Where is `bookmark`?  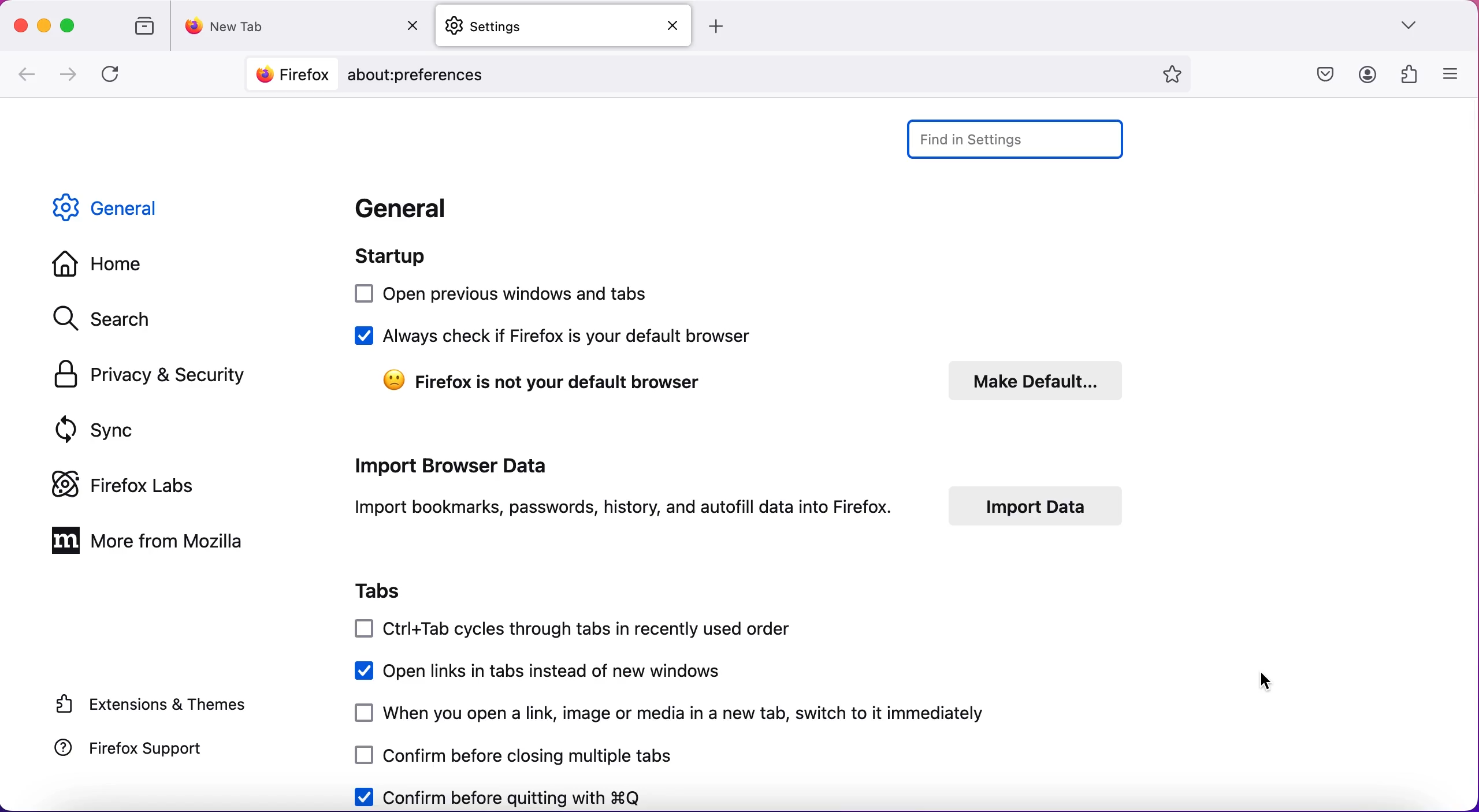
bookmark is located at coordinates (1169, 76).